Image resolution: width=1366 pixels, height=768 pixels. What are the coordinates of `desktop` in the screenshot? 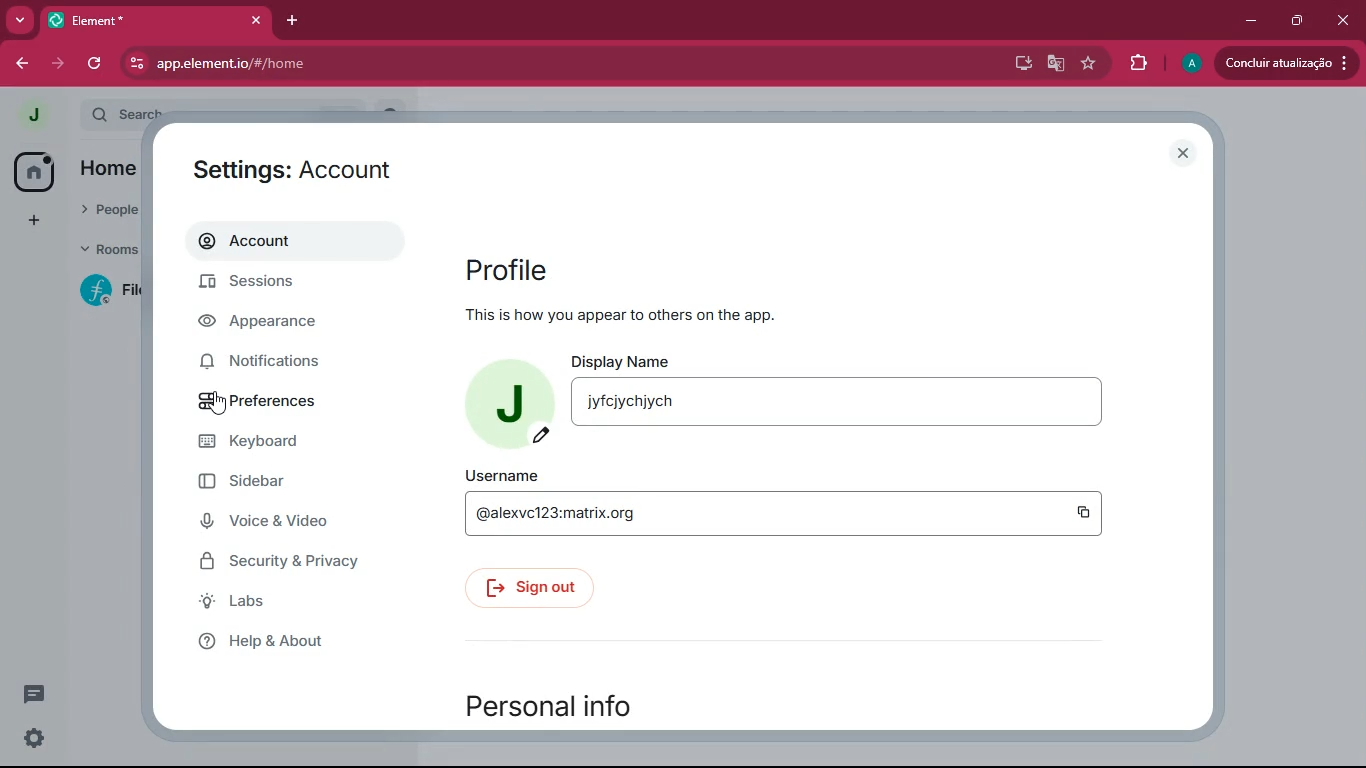 It's located at (1019, 63).